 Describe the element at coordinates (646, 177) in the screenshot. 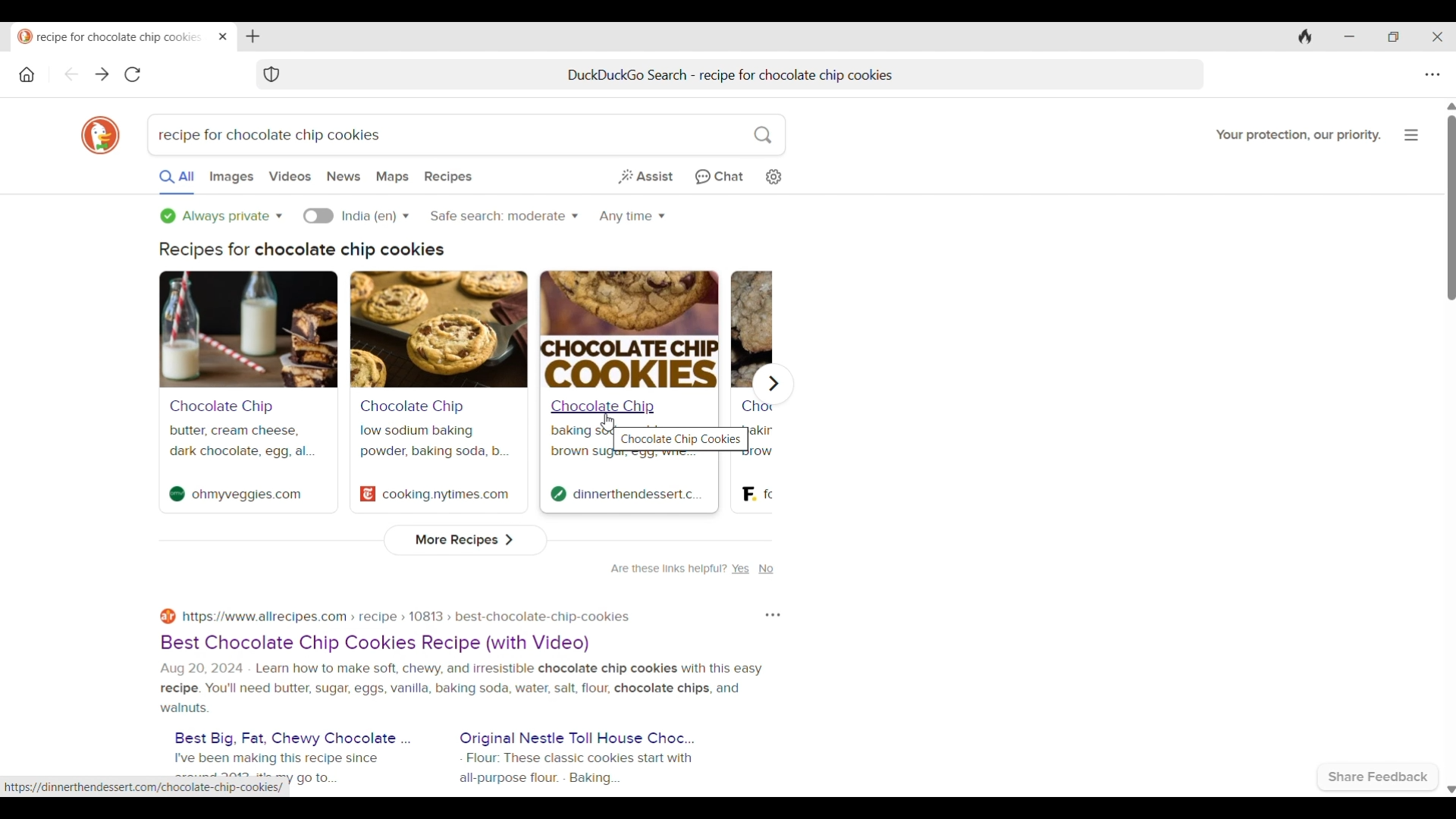

I see `Generate short answer from web` at that location.